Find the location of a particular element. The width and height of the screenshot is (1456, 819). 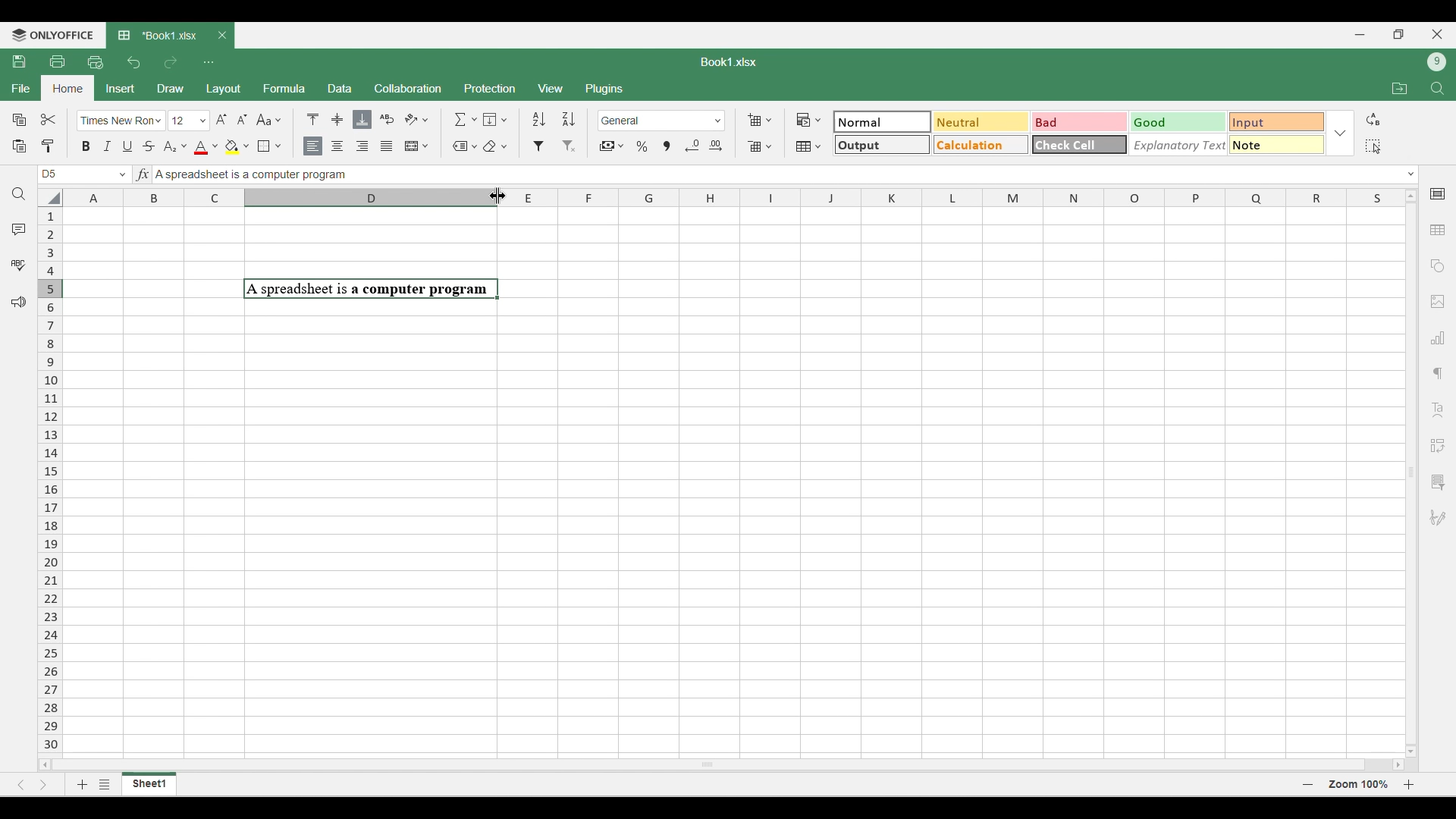

Insert menu is located at coordinates (121, 89).